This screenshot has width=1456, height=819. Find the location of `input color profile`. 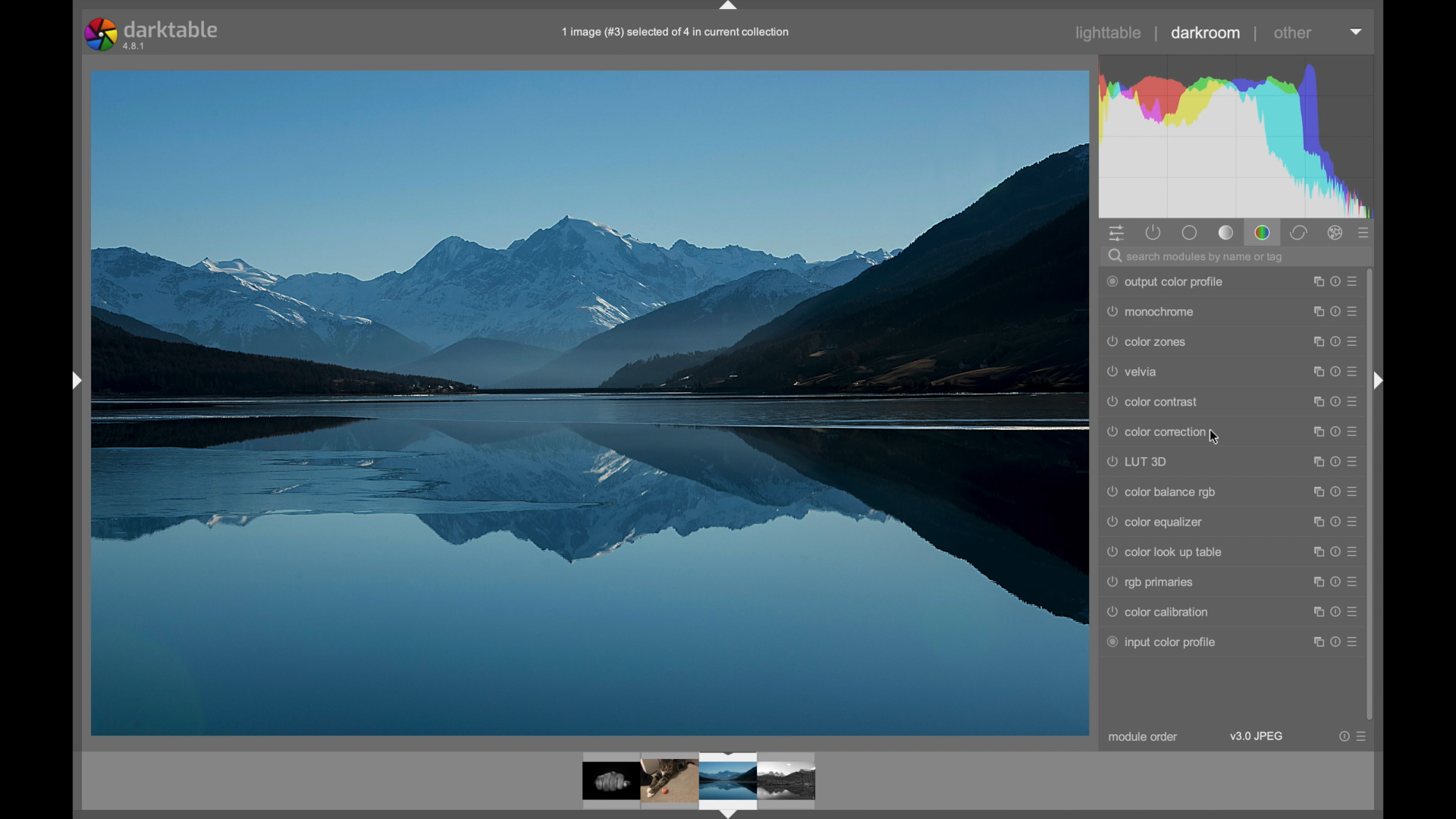

input color profile is located at coordinates (1161, 643).